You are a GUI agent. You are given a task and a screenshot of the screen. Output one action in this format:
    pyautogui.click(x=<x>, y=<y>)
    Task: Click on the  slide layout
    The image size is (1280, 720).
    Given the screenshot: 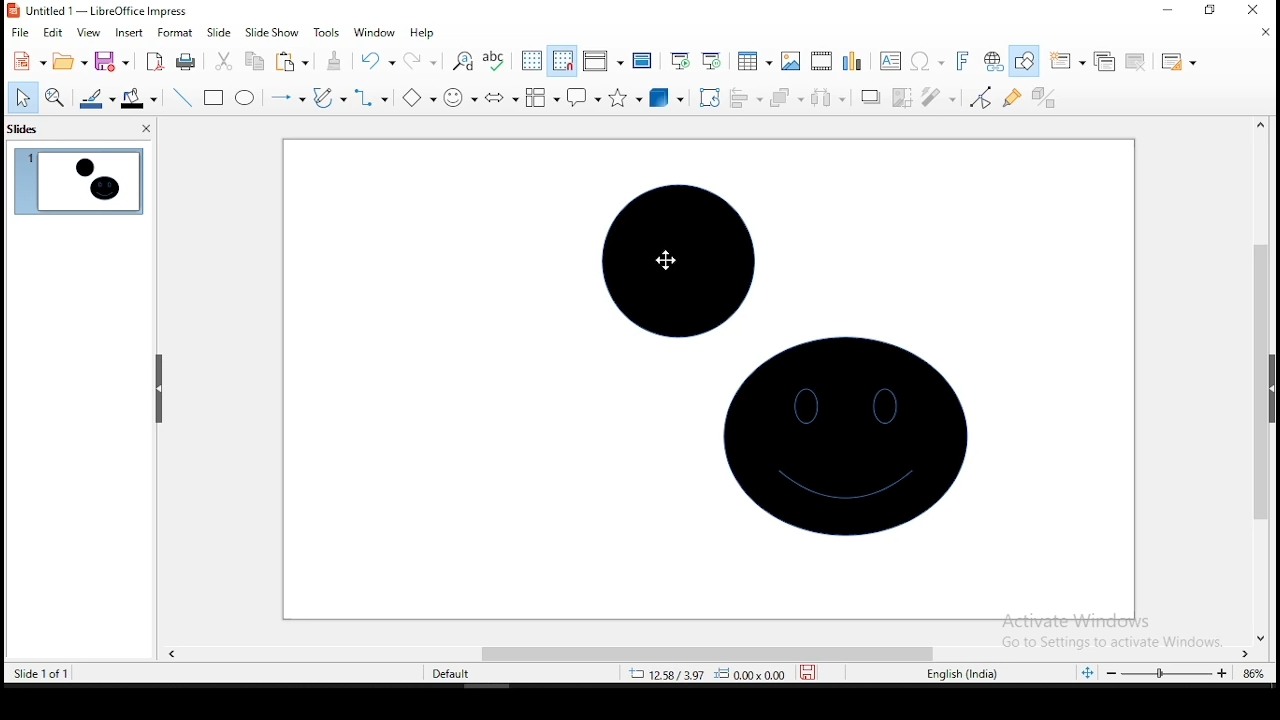 What is the action you would take?
    pyautogui.click(x=1178, y=63)
    